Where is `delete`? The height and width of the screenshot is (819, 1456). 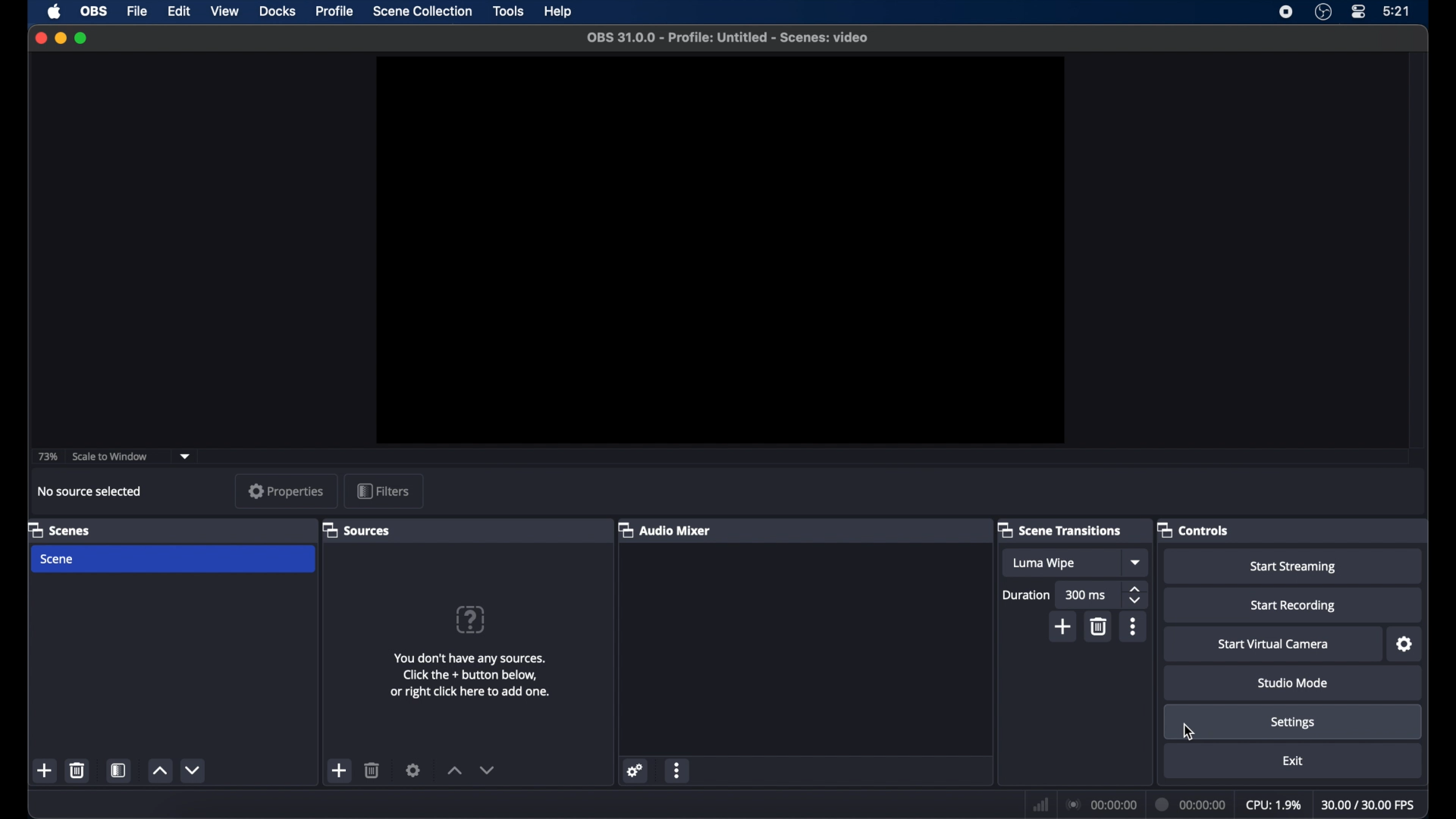 delete is located at coordinates (1100, 626).